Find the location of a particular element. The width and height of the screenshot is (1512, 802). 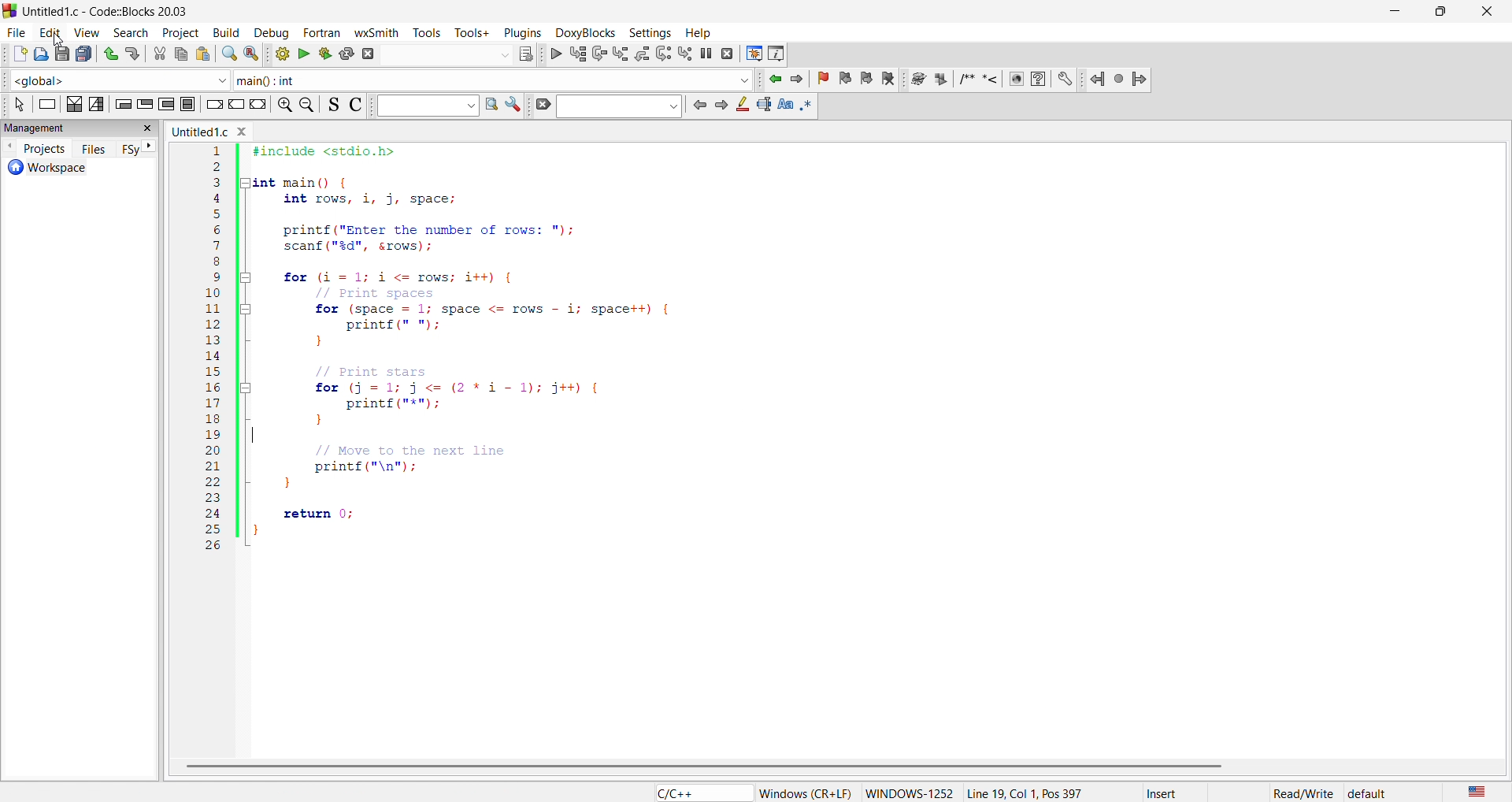

wxsmith is located at coordinates (380, 32).